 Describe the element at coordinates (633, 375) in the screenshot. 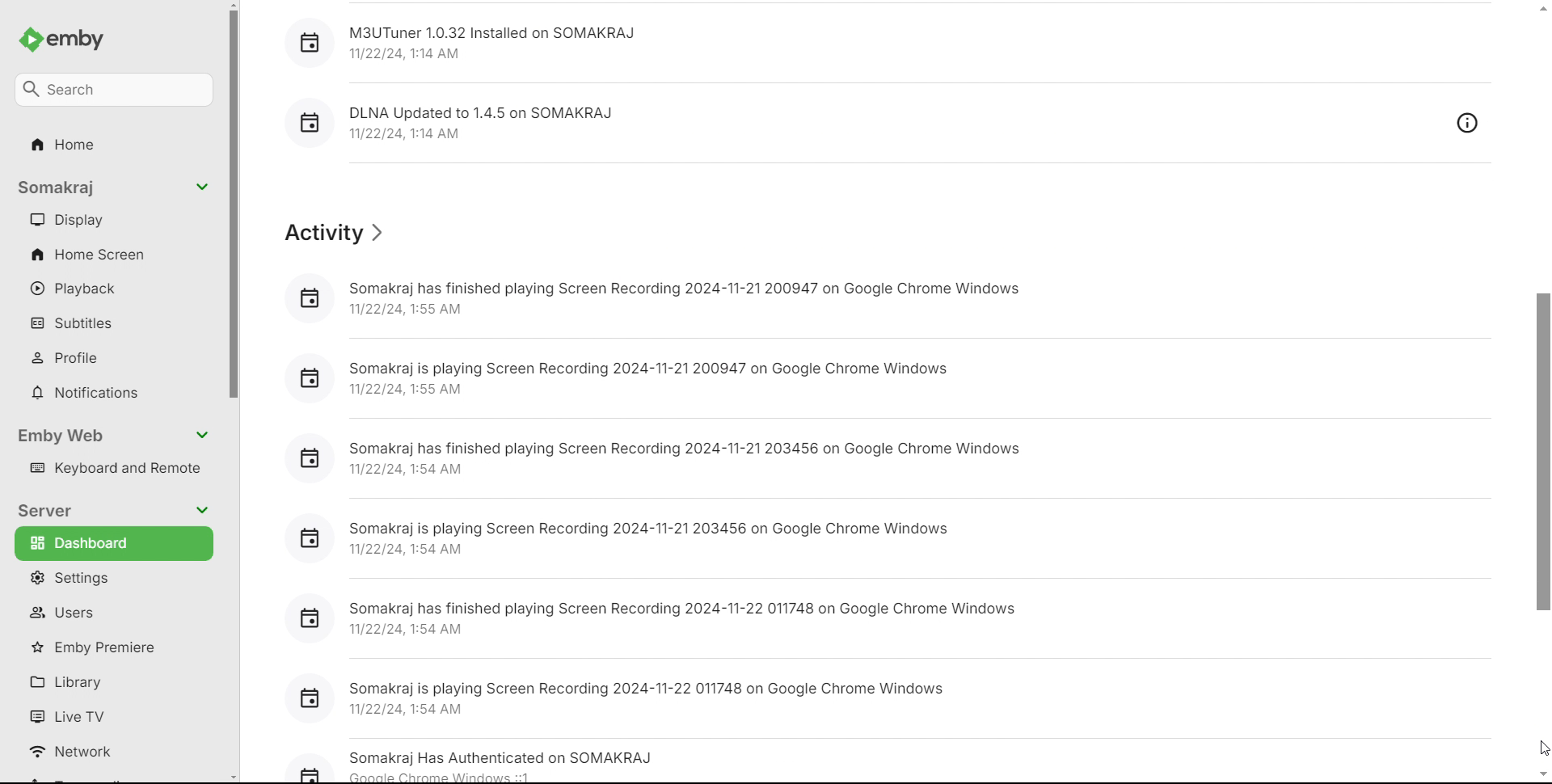

I see `[i] Somakraj is playing Screen Recording 2024-11-21 200947 on Google Chrome Windows
11/22/24, 1:55 AM` at that location.